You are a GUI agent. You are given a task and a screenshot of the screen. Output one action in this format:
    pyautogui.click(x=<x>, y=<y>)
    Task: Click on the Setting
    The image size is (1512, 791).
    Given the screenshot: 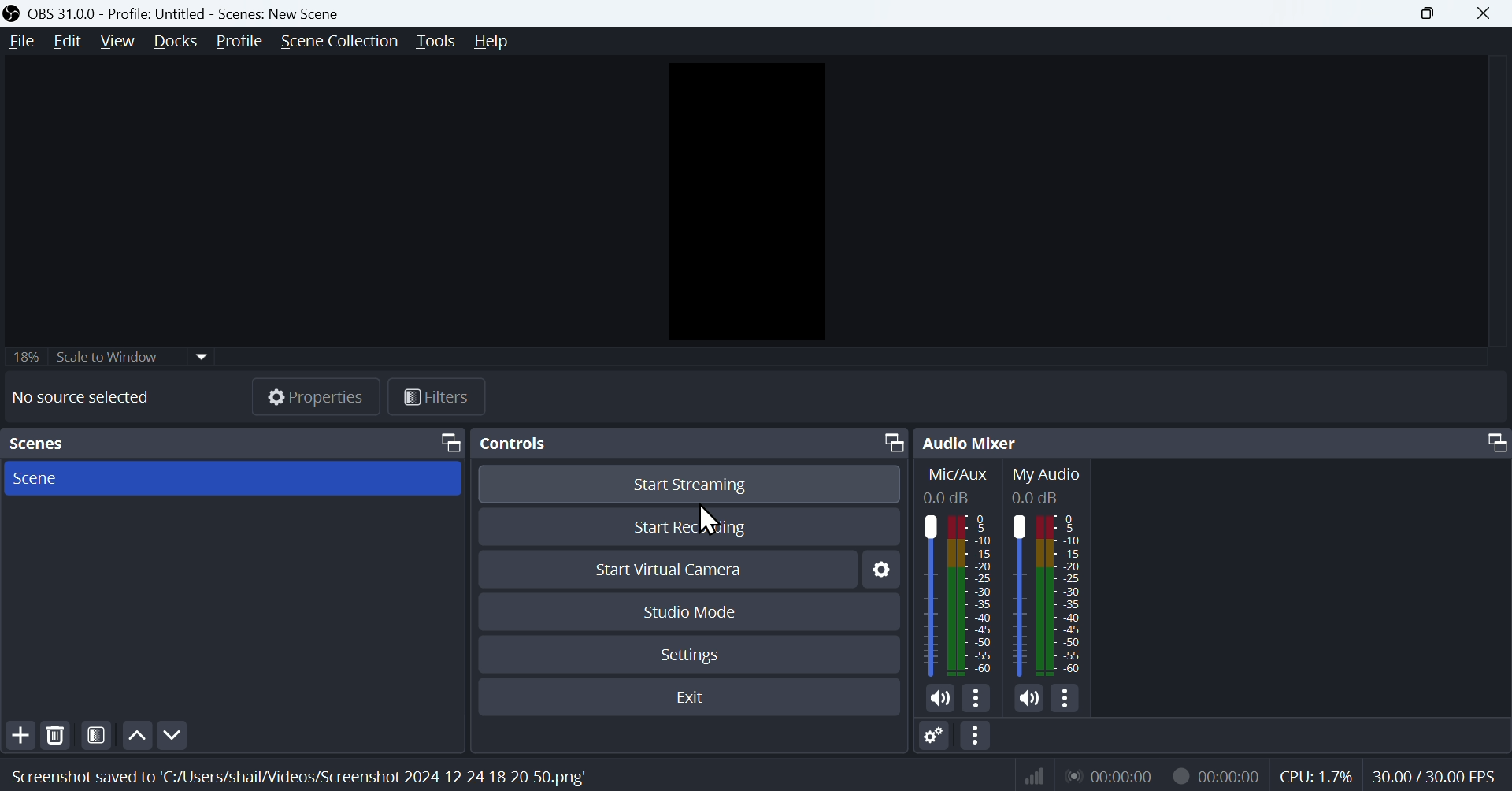 What is the action you would take?
    pyautogui.click(x=935, y=738)
    